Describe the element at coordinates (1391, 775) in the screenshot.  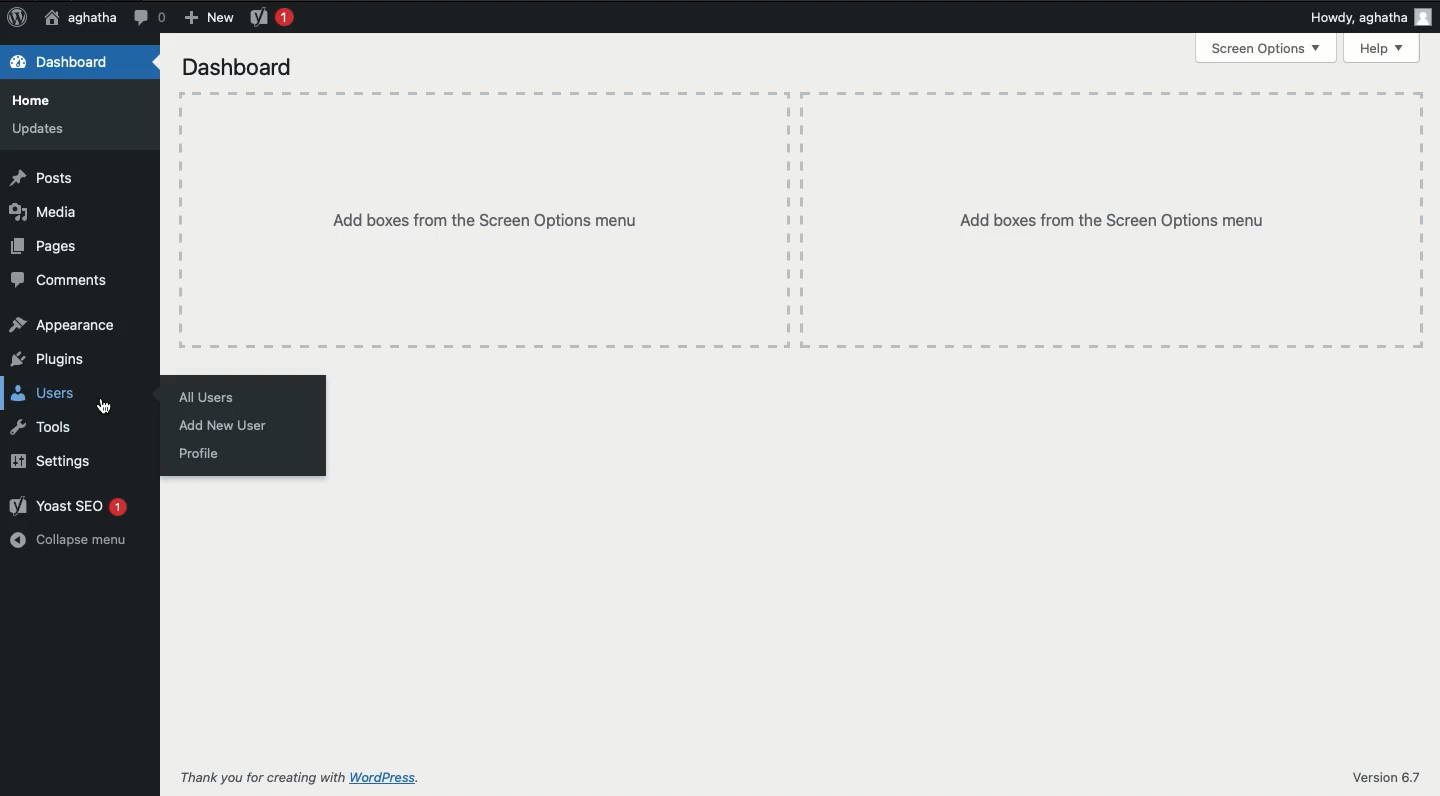
I see `Version 6.7` at that location.